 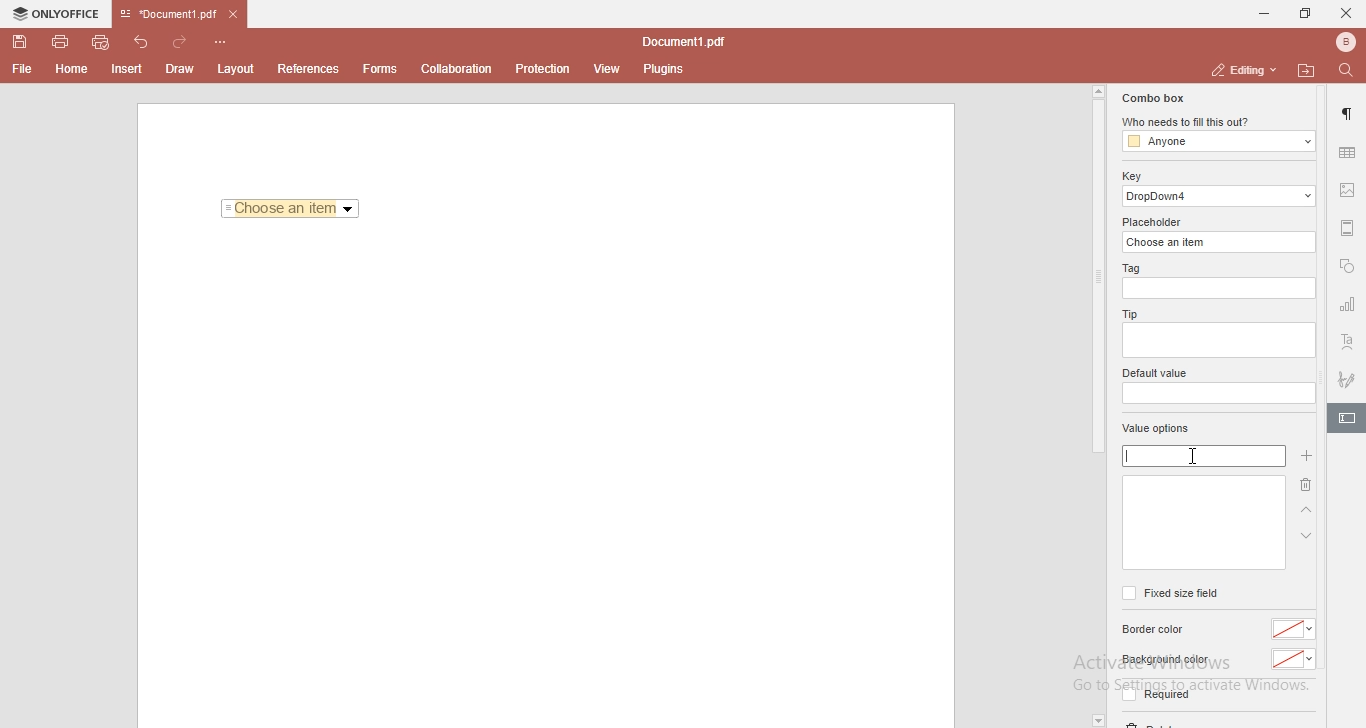 What do you see at coordinates (1349, 192) in the screenshot?
I see `image` at bounding box center [1349, 192].